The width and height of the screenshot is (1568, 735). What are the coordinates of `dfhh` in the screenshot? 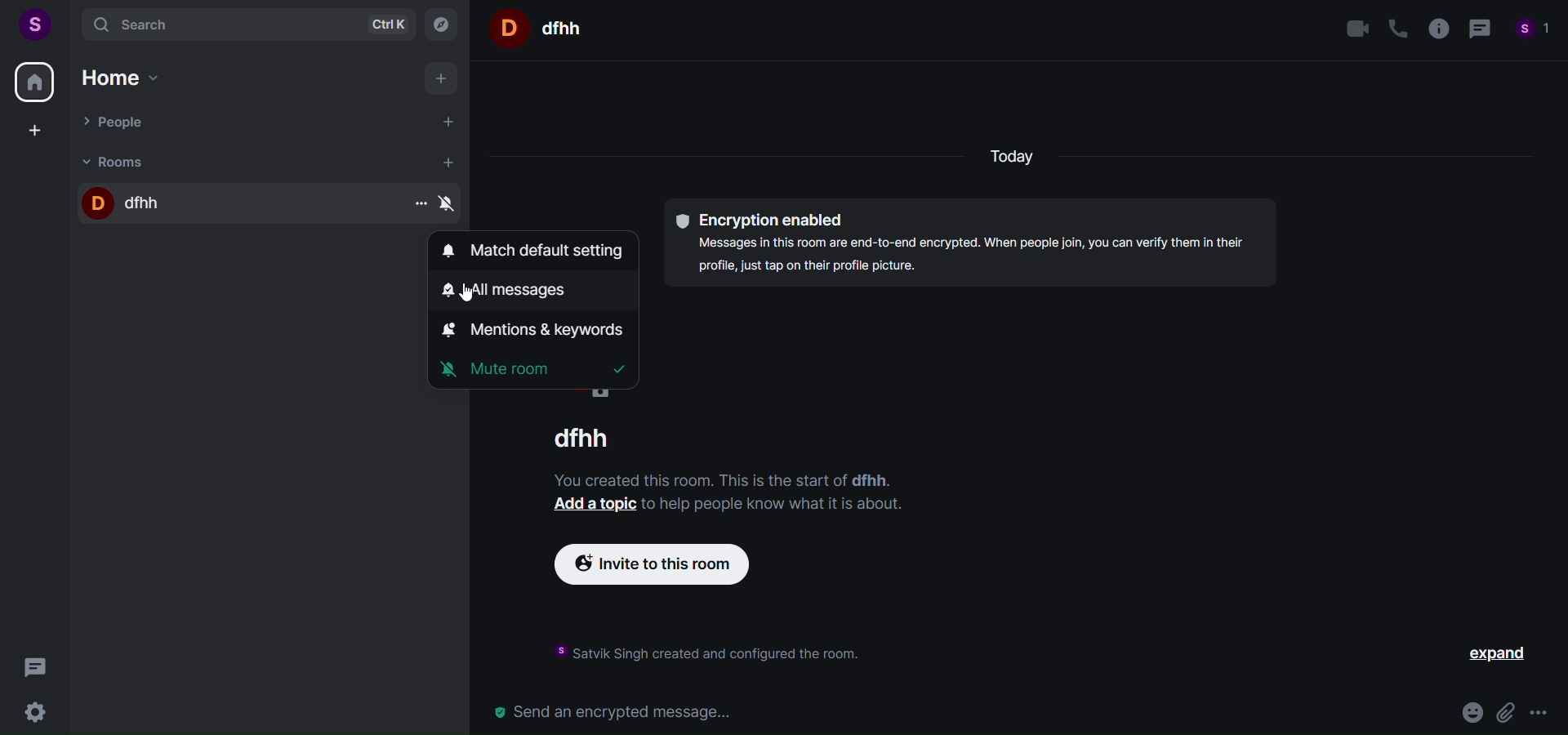 It's located at (592, 438).